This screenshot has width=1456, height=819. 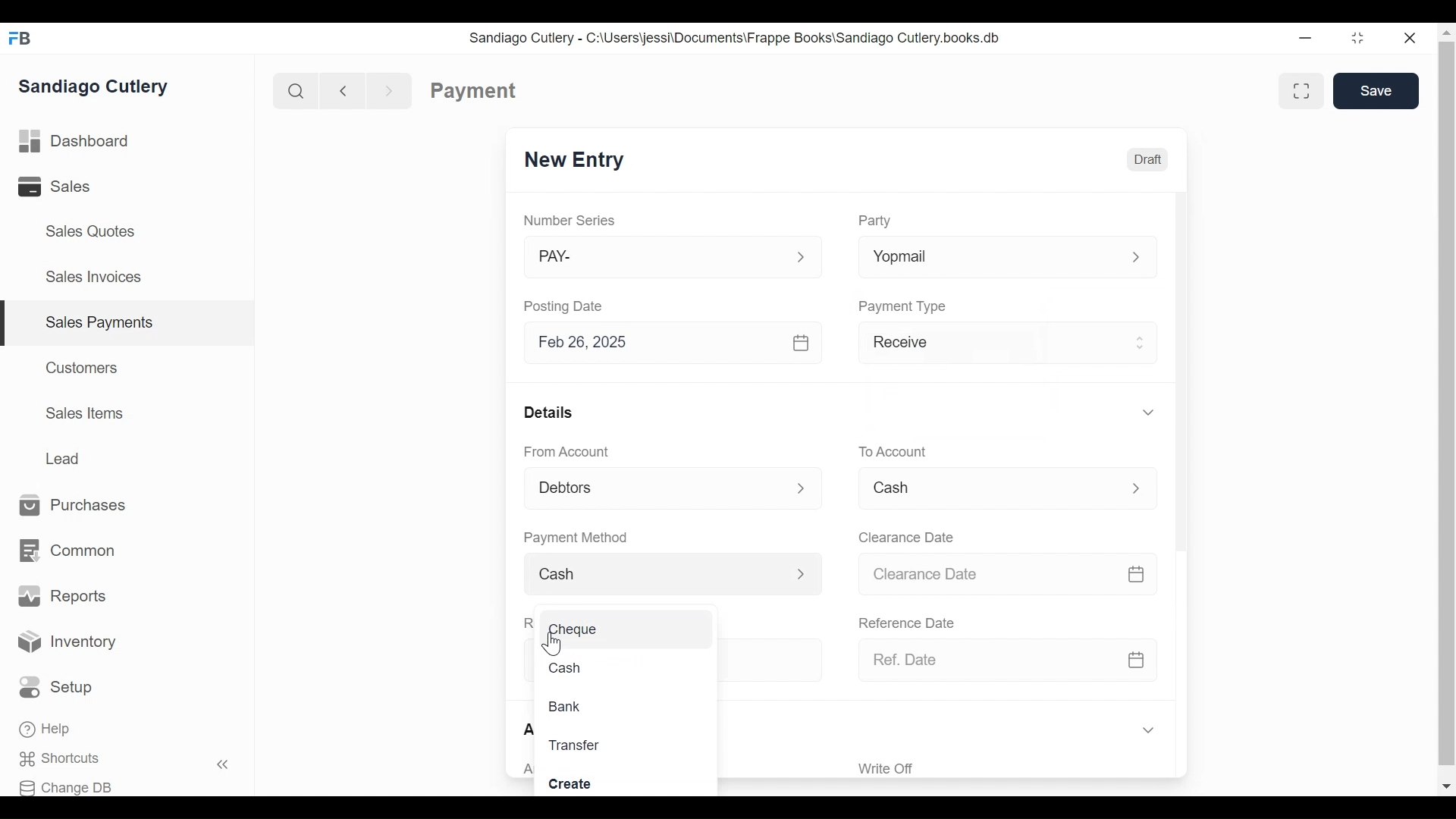 I want to click on Sales Items, so click(x=85, y=413).